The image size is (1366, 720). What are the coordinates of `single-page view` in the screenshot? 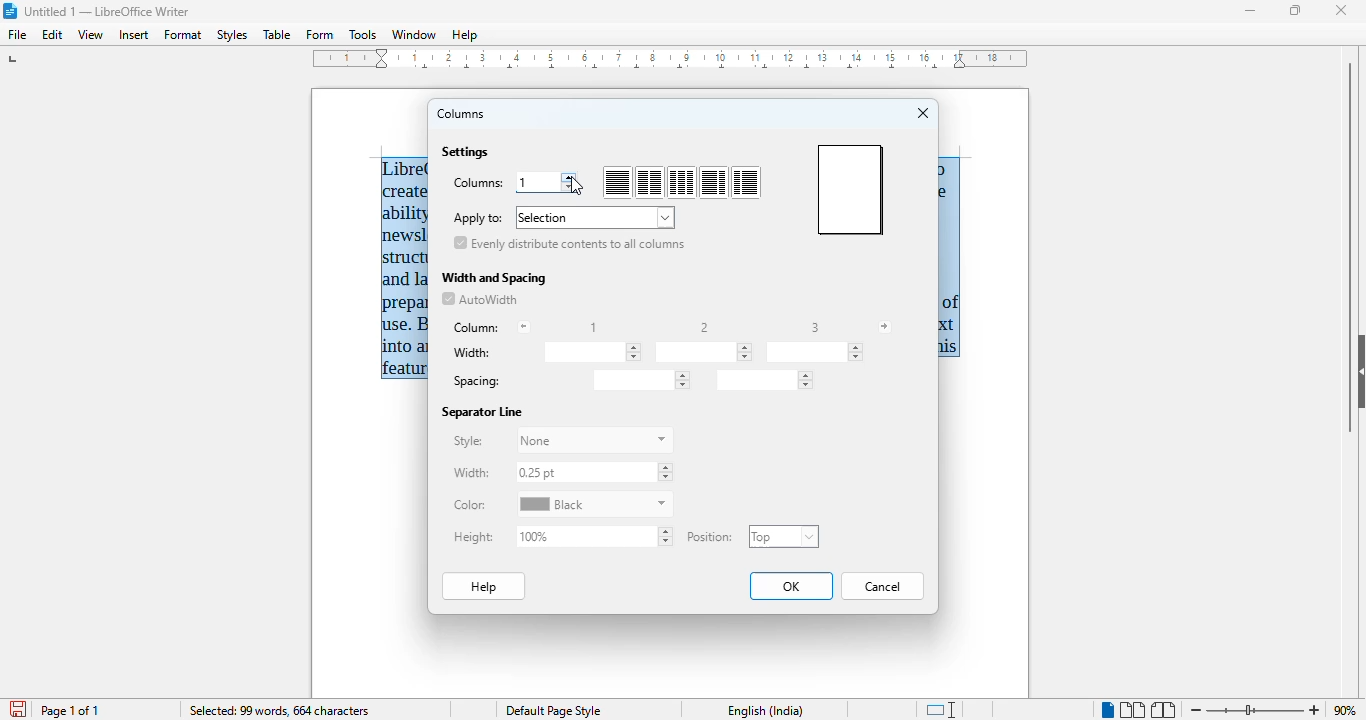 It's located at (1106, 710).